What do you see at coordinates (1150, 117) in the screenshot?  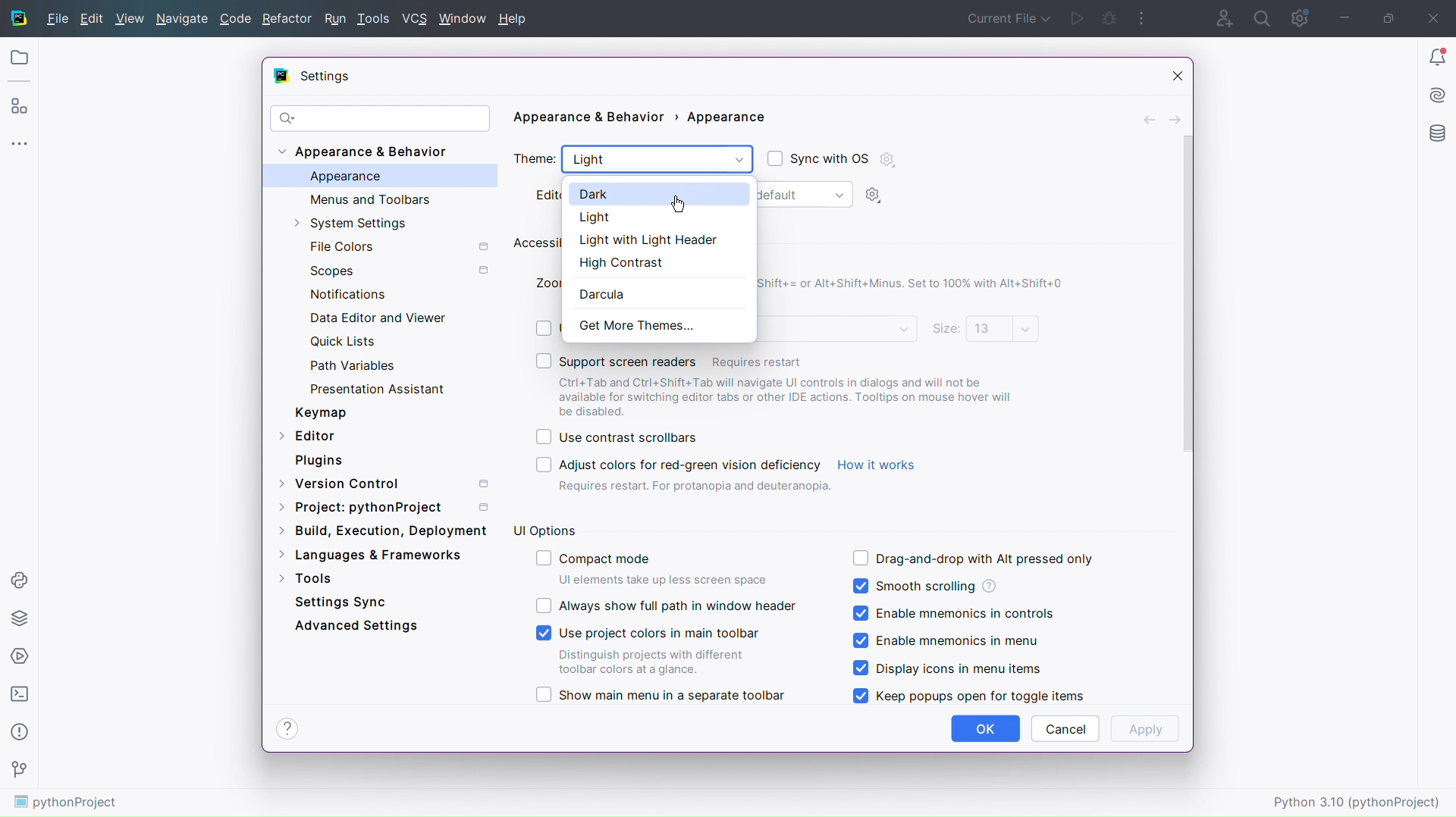 I see `Back` at bounding box center [1150, 117].